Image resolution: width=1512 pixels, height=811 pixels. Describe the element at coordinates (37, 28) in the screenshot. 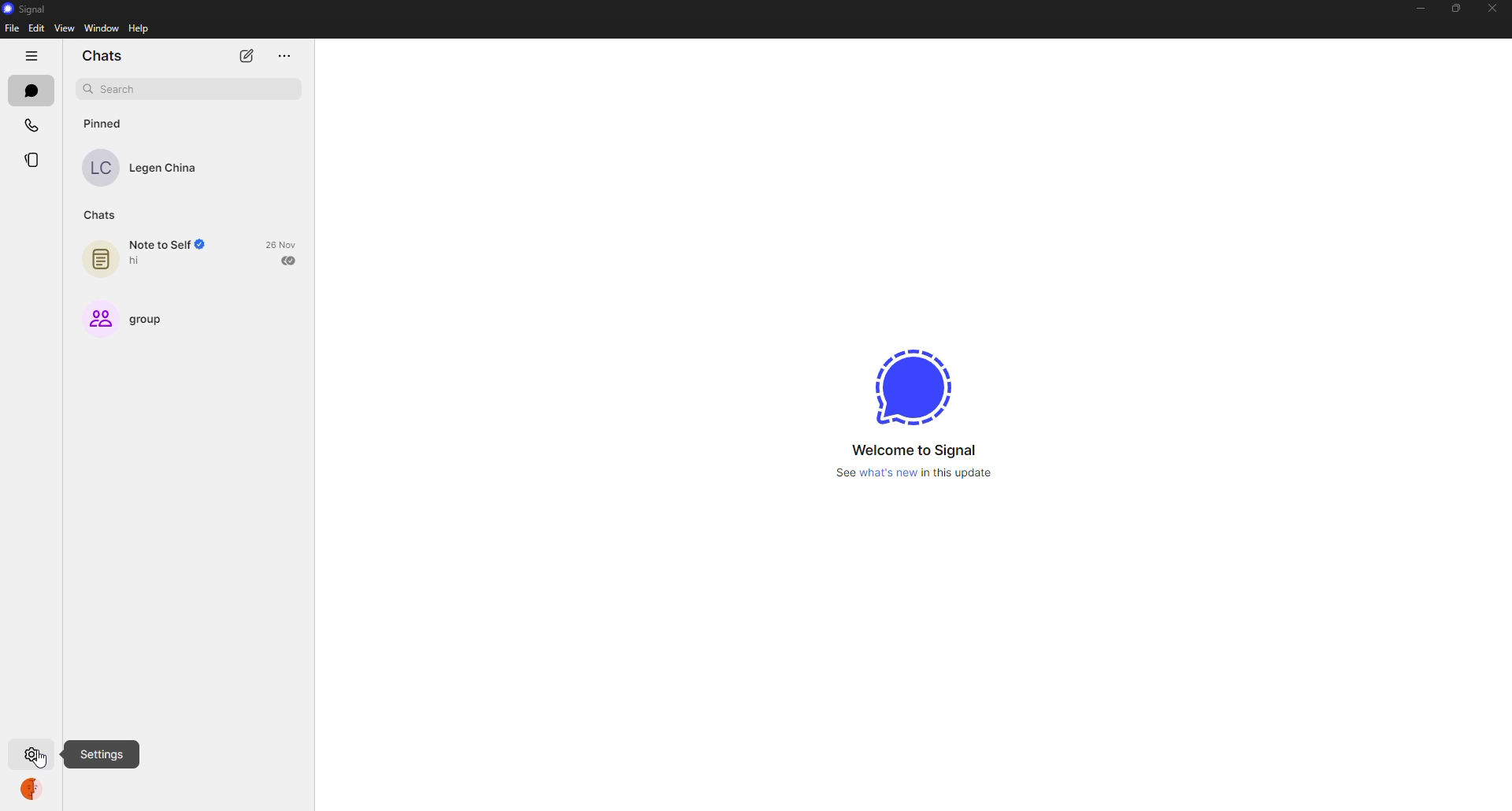

I see `edit` at that location.